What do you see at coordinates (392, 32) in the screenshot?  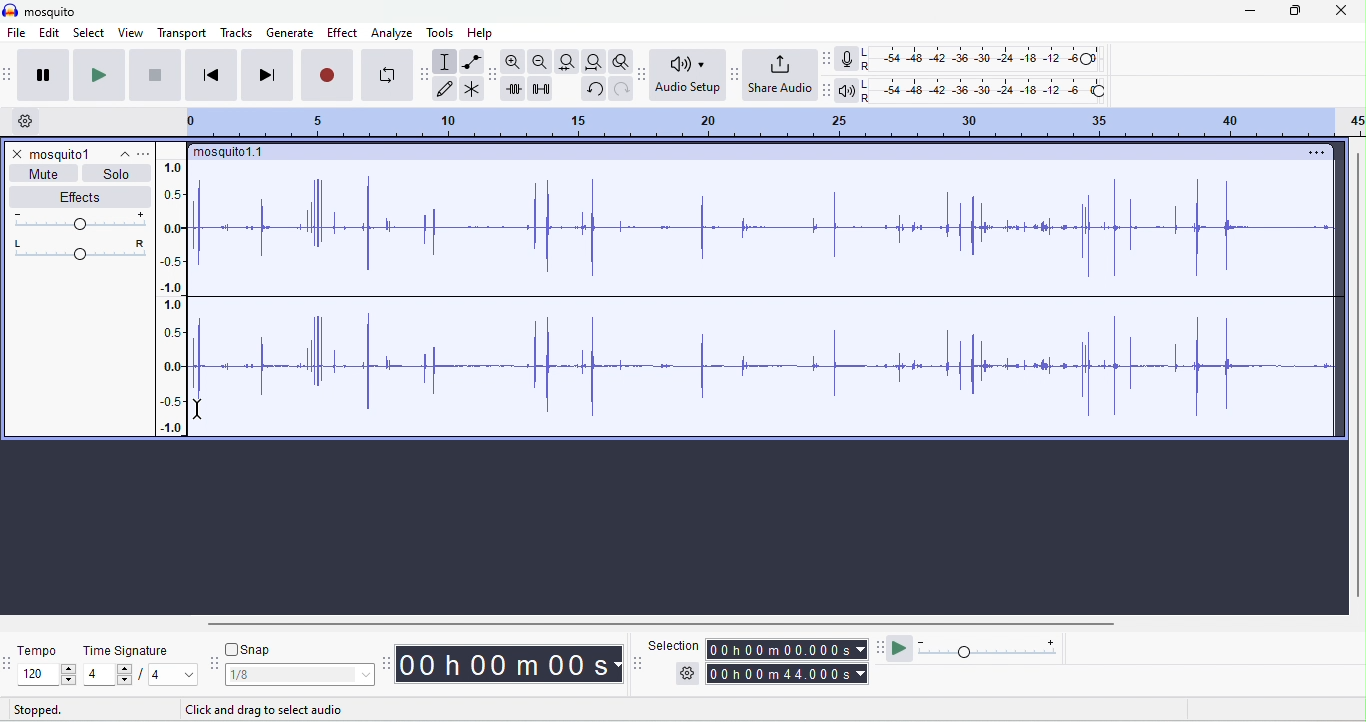 I see `analyze` at bounding box center [392, 32].